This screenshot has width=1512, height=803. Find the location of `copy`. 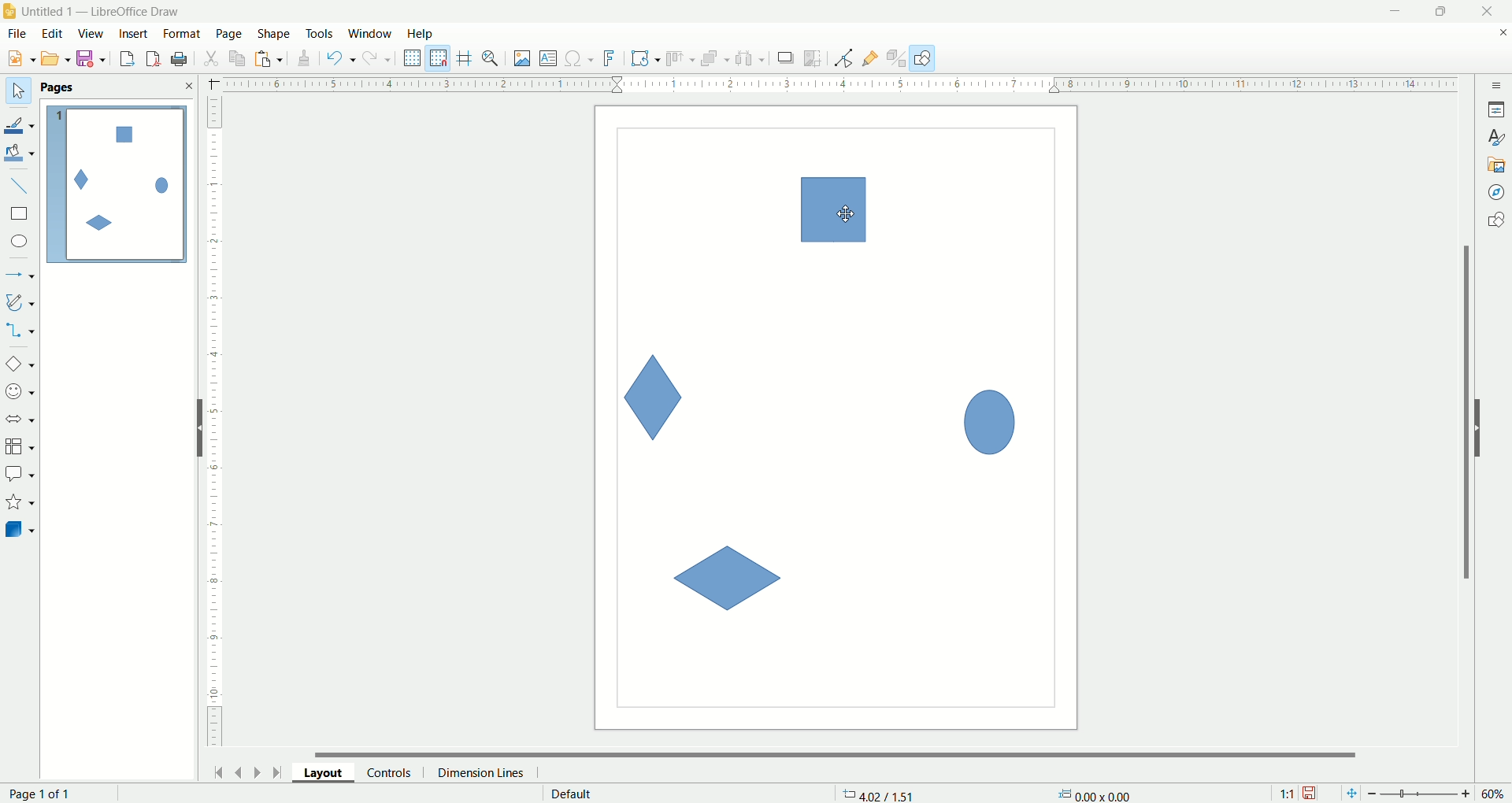

copy is located at coordinates (238, 58).